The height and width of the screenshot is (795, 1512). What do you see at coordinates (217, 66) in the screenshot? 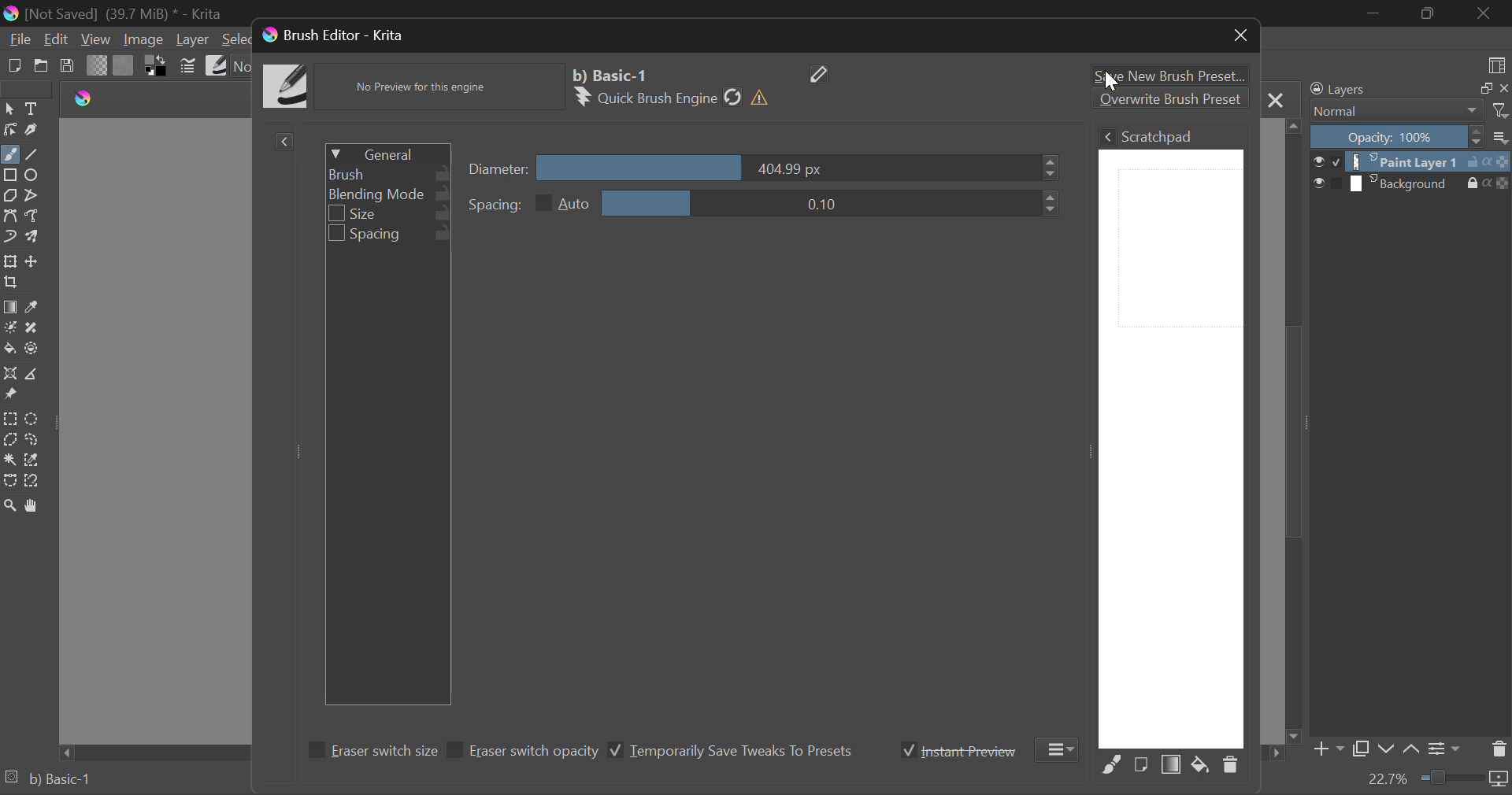
I see `Brush Presets` at bounding box center [217, 66].